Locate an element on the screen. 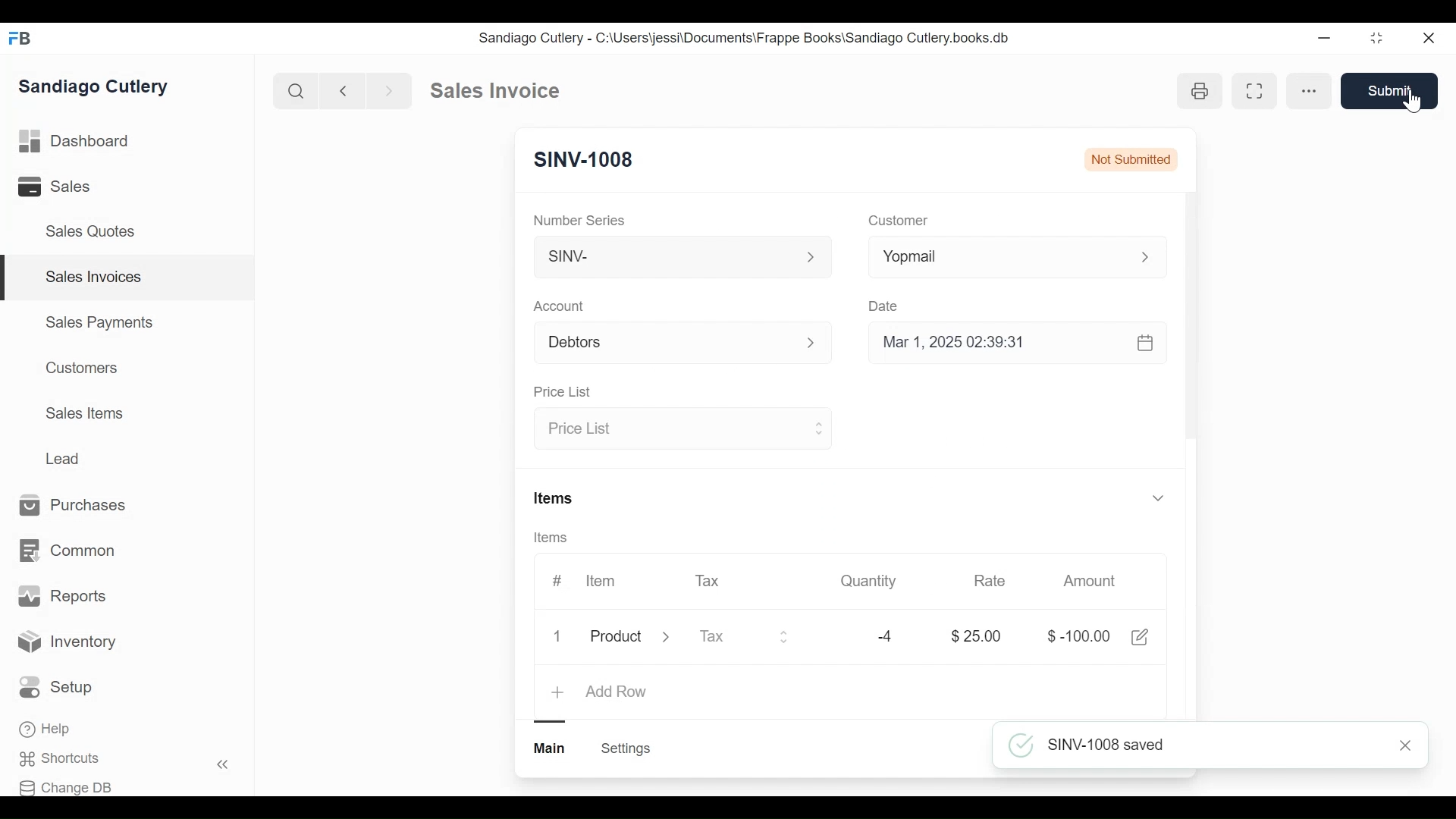 The image size is (1456, 819). Tax is located at coordinates (706, 582).